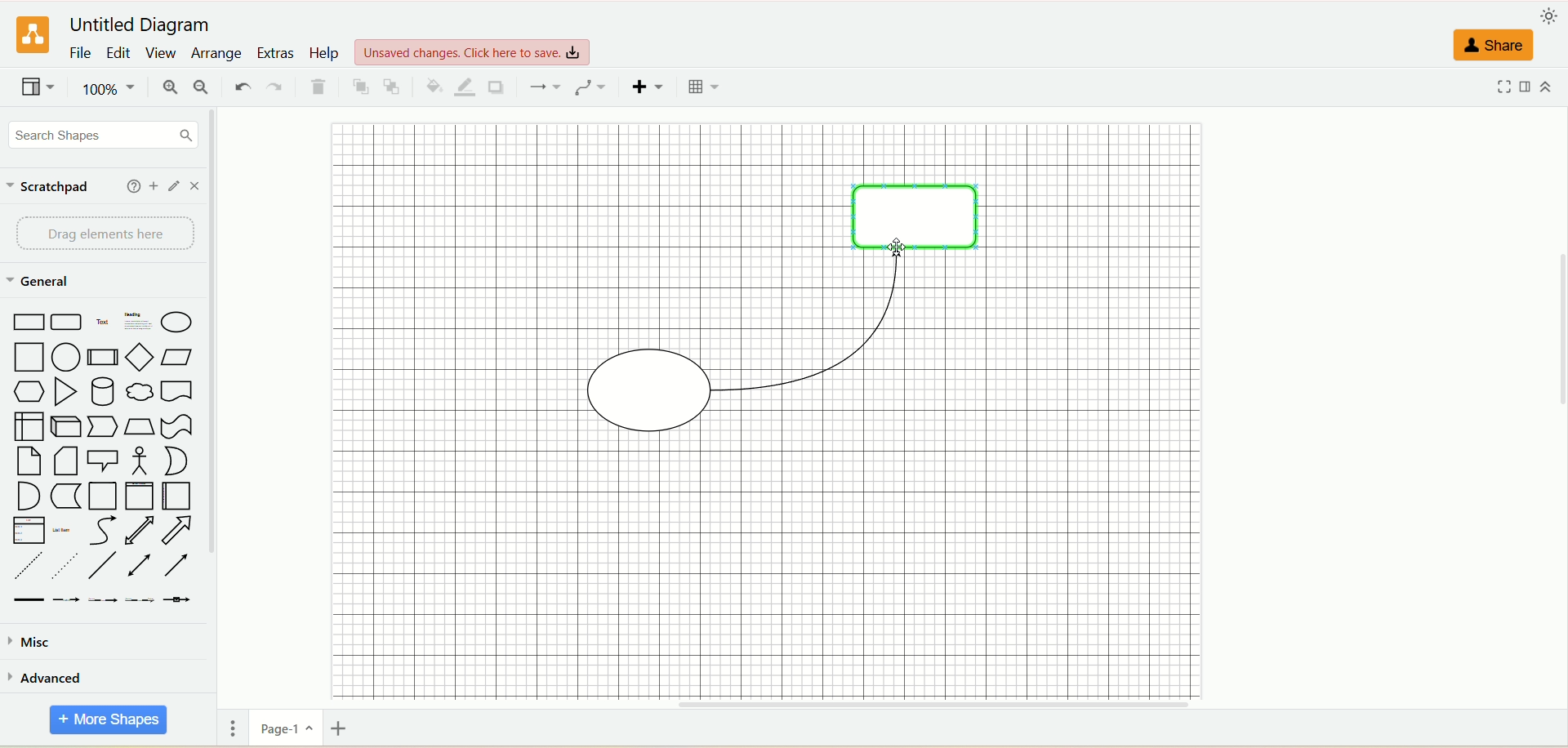 The width and height of the screenshot is (1568, 748). I want to click on expand/collapse, so click(1549, 87).